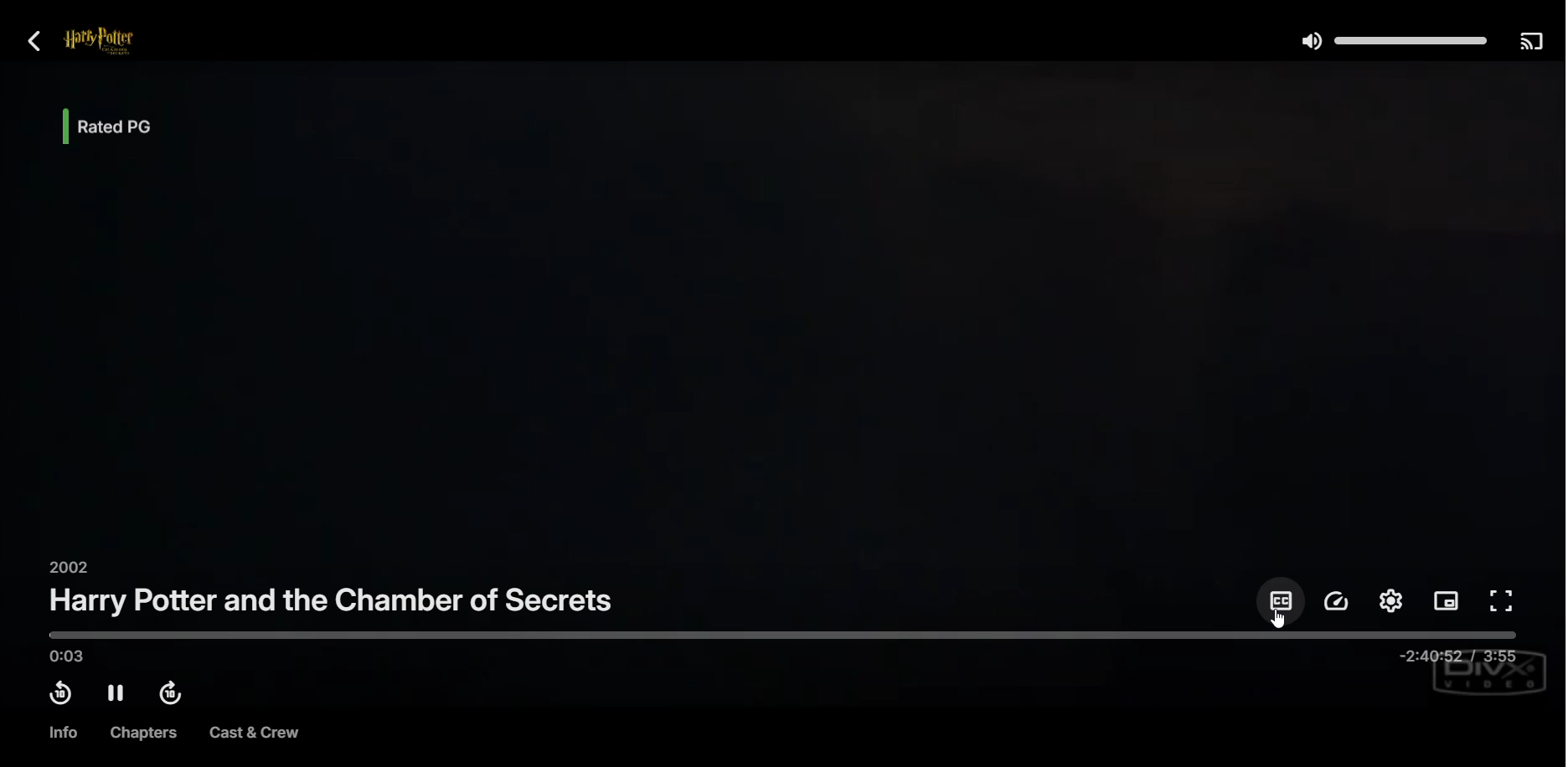 The image size is (1568, 767). What do you see at coordinates (139, 733) in the screenshot?
I see `Chapters` at bounding box center [139, 733].